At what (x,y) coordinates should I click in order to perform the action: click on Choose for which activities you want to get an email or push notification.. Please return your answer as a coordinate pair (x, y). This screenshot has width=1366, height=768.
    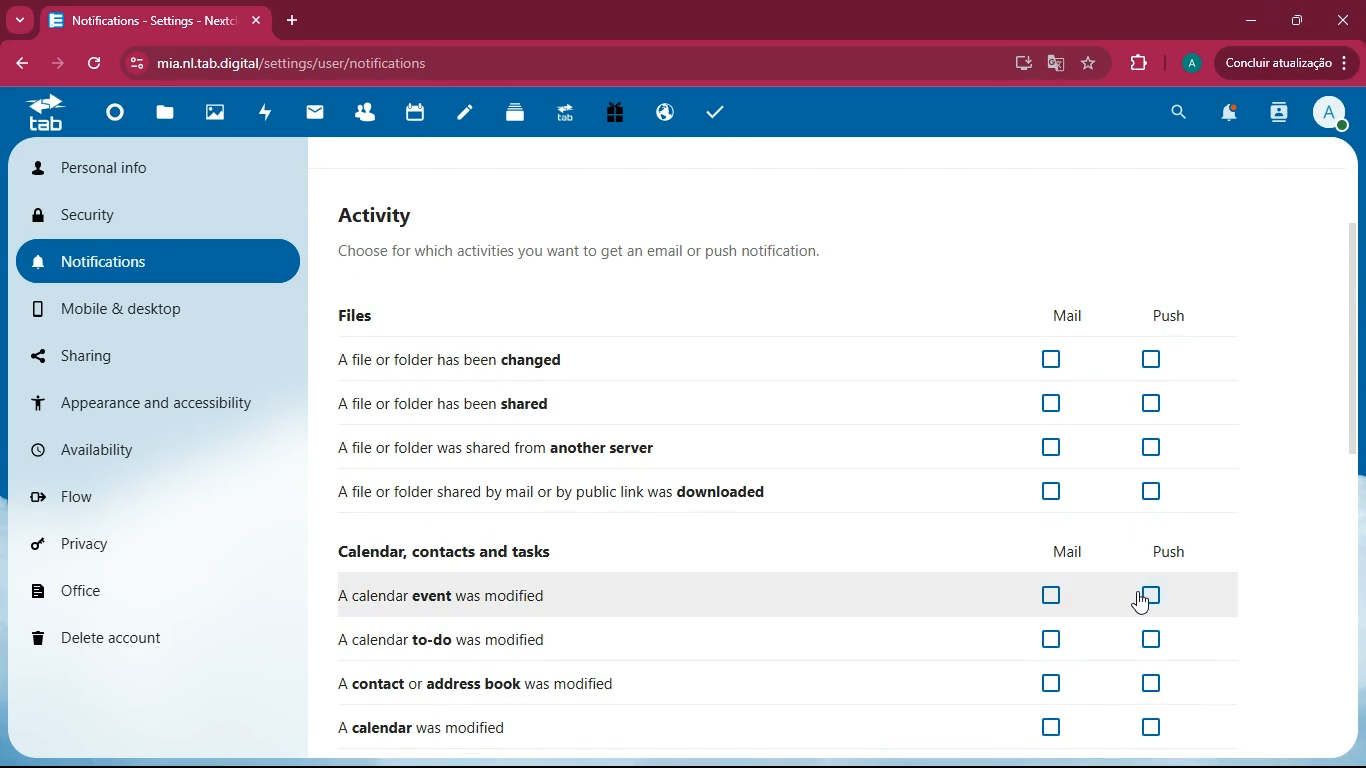
    Looking at the image, I should click on (575, 255).